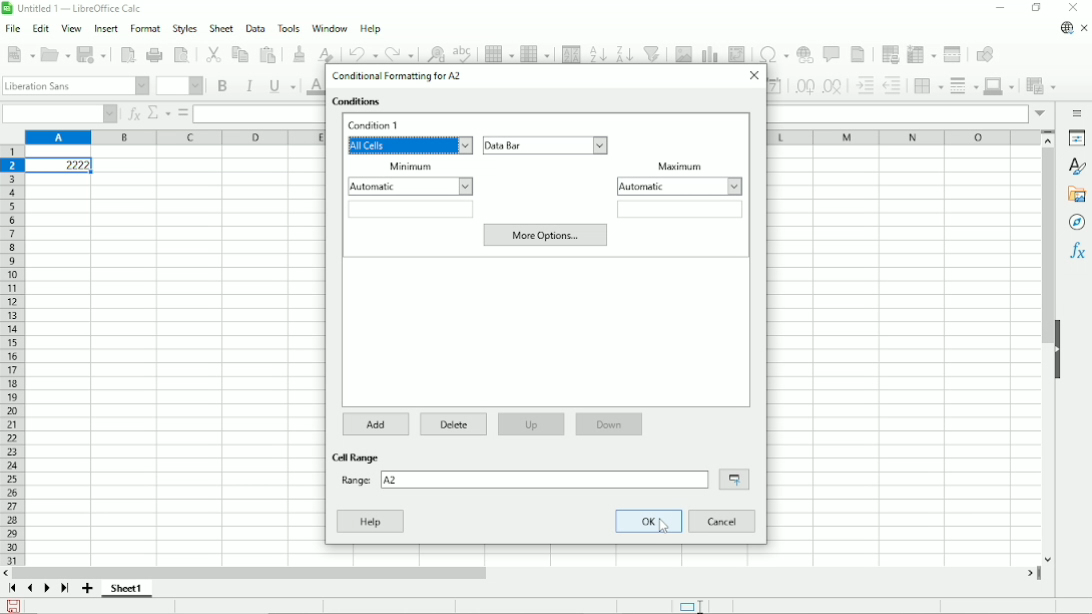 This screenshot has height=614, width=1092. Describe the element at coordinates (1078, 223) in the screenshot. I see `Navigator` at that location.